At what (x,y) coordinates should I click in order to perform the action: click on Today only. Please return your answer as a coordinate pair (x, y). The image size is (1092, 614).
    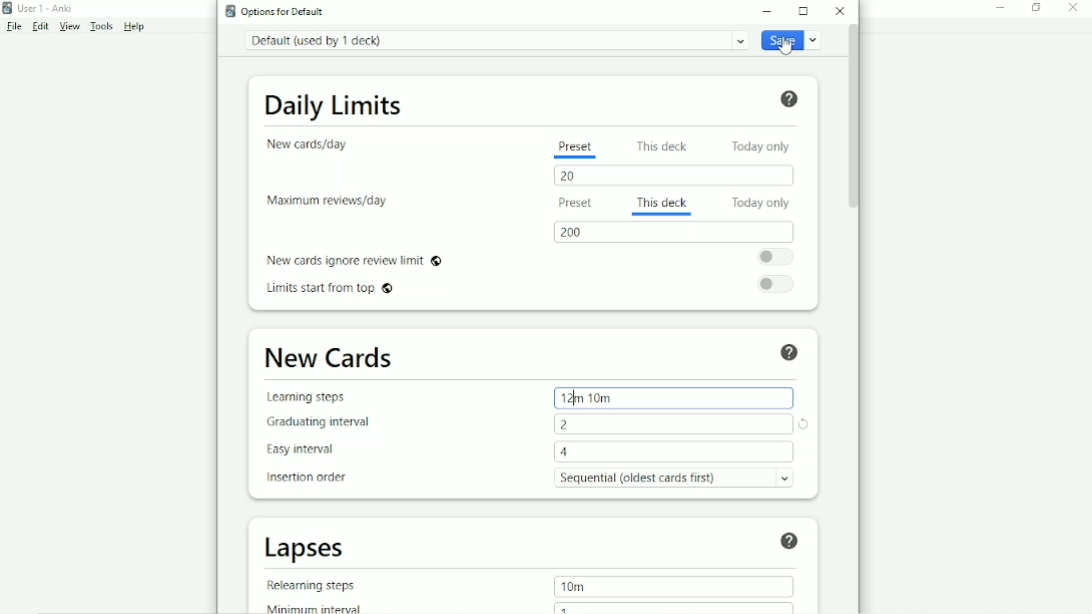
    Looking at the image, I should click on (760, 202).